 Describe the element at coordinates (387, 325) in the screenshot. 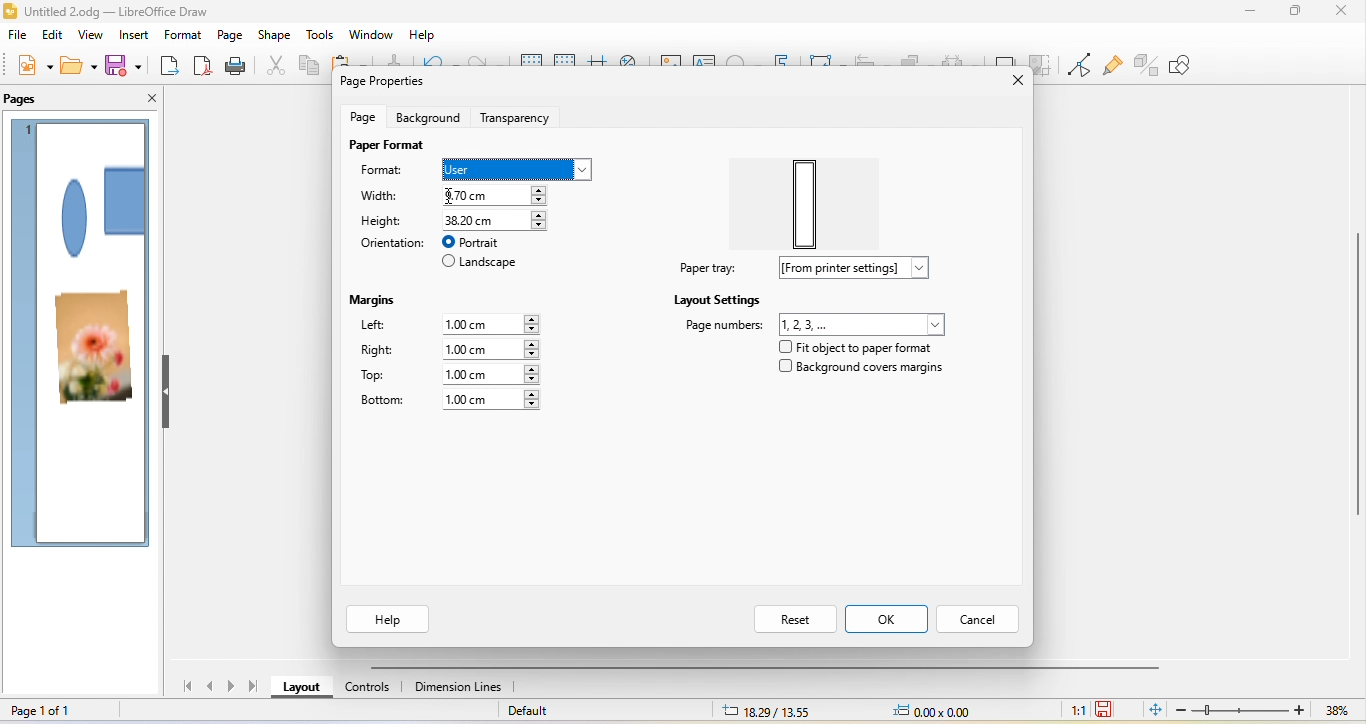

I see `left` at that location.